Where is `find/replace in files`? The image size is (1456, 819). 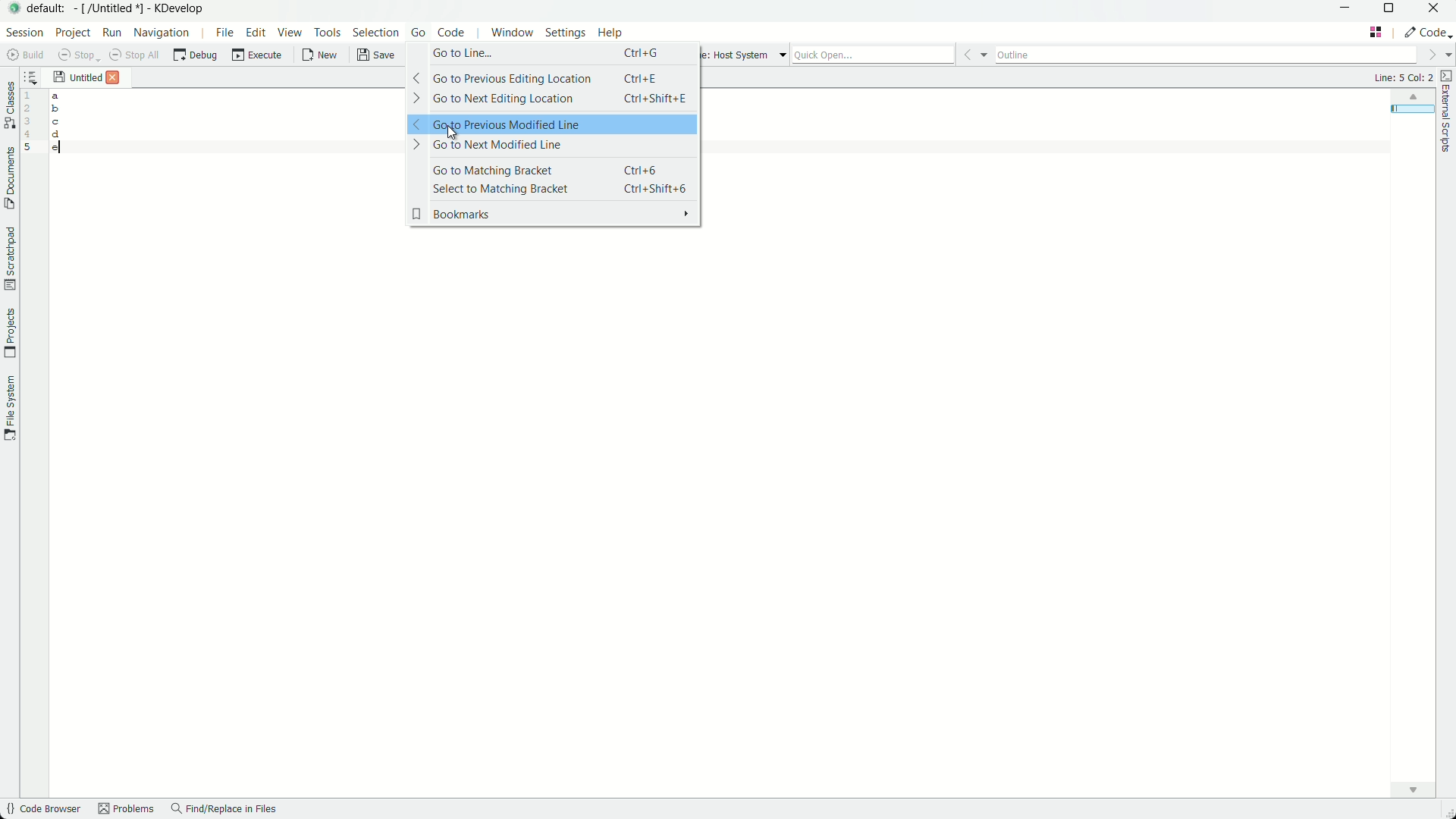 find/replace in files is located at coordinates (227, 811).